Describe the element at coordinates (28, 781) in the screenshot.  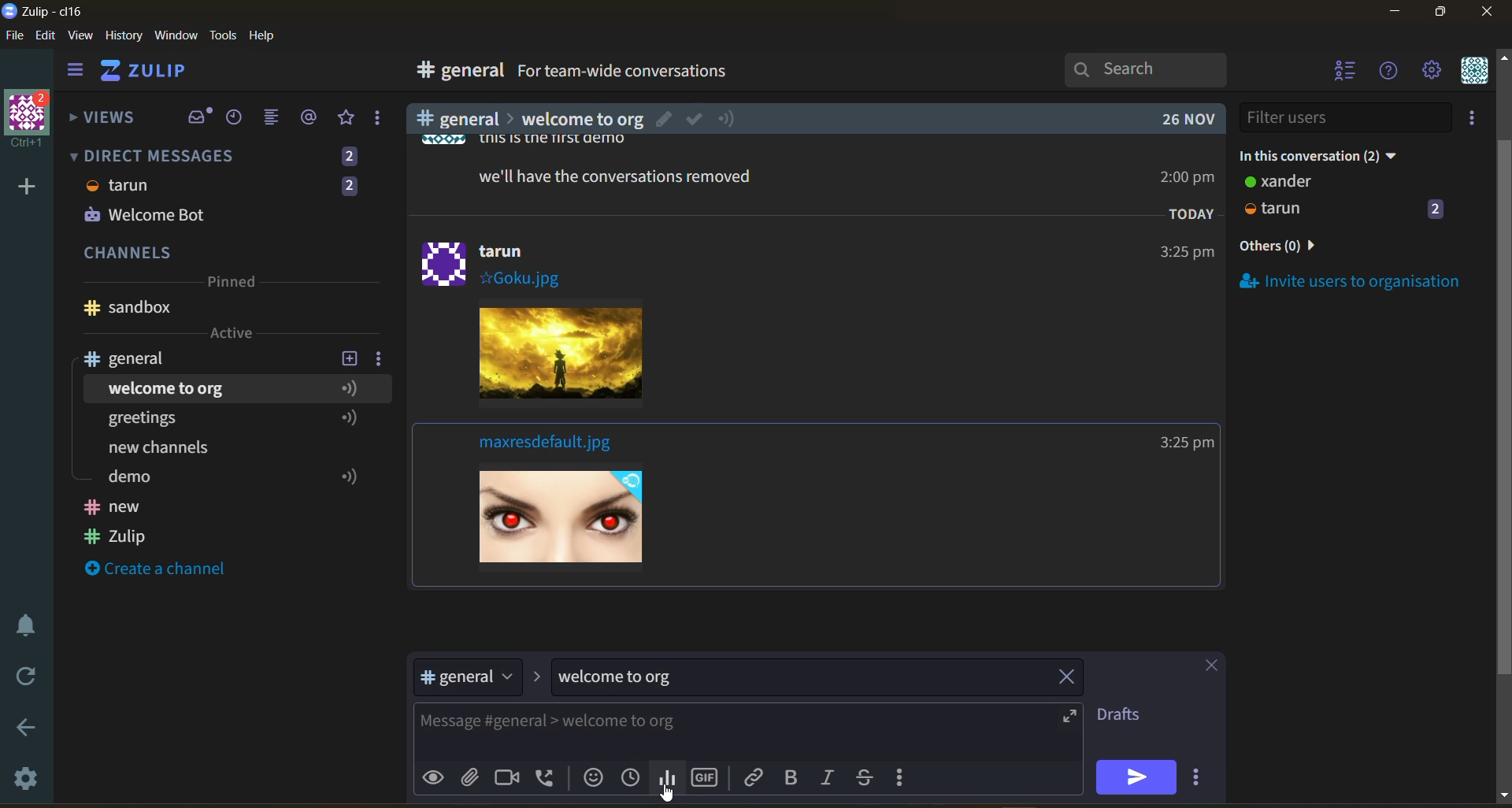
I see `settings` at that location.